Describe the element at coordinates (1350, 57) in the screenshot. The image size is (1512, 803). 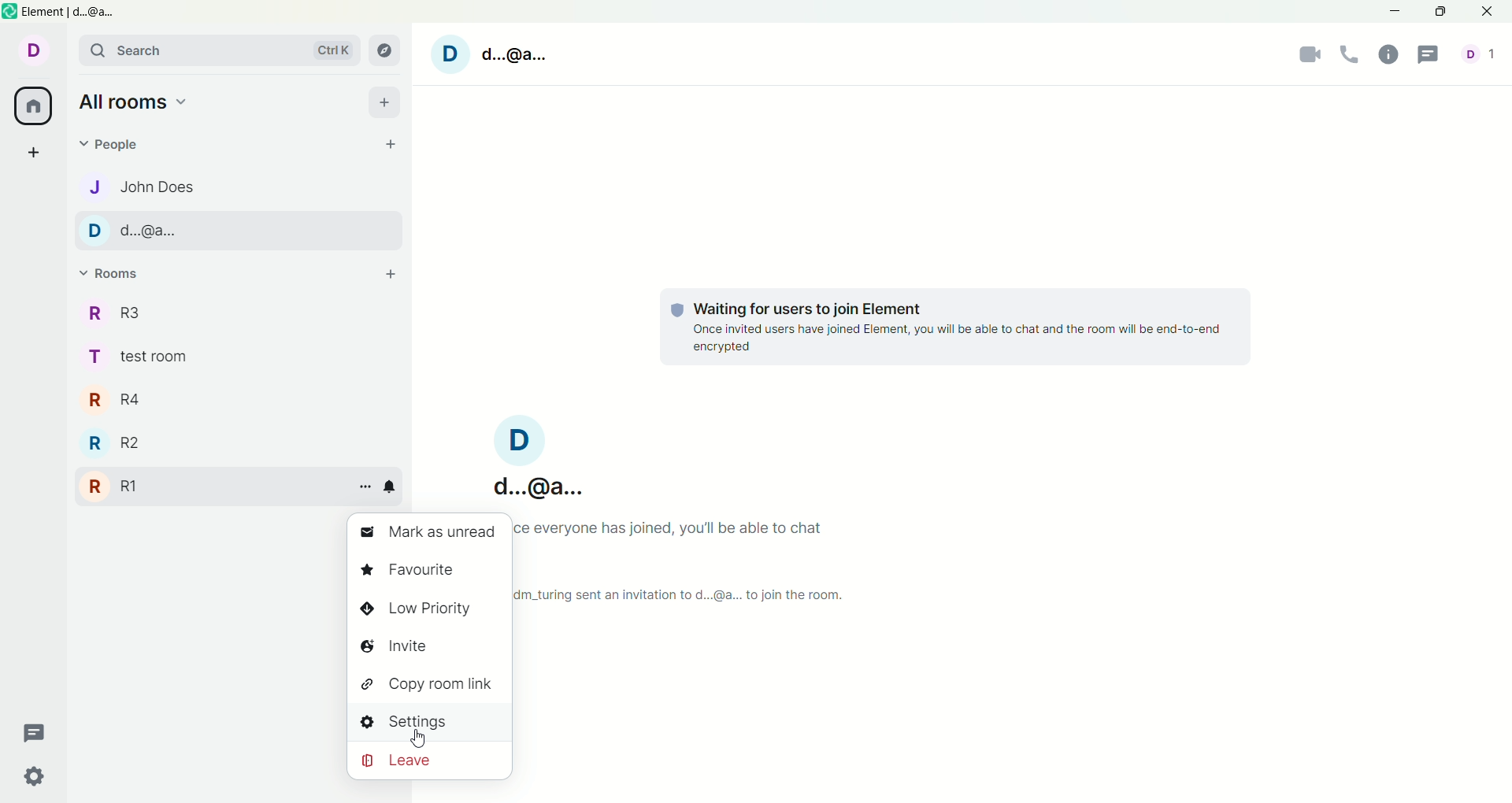
I see `voice call` at that location.